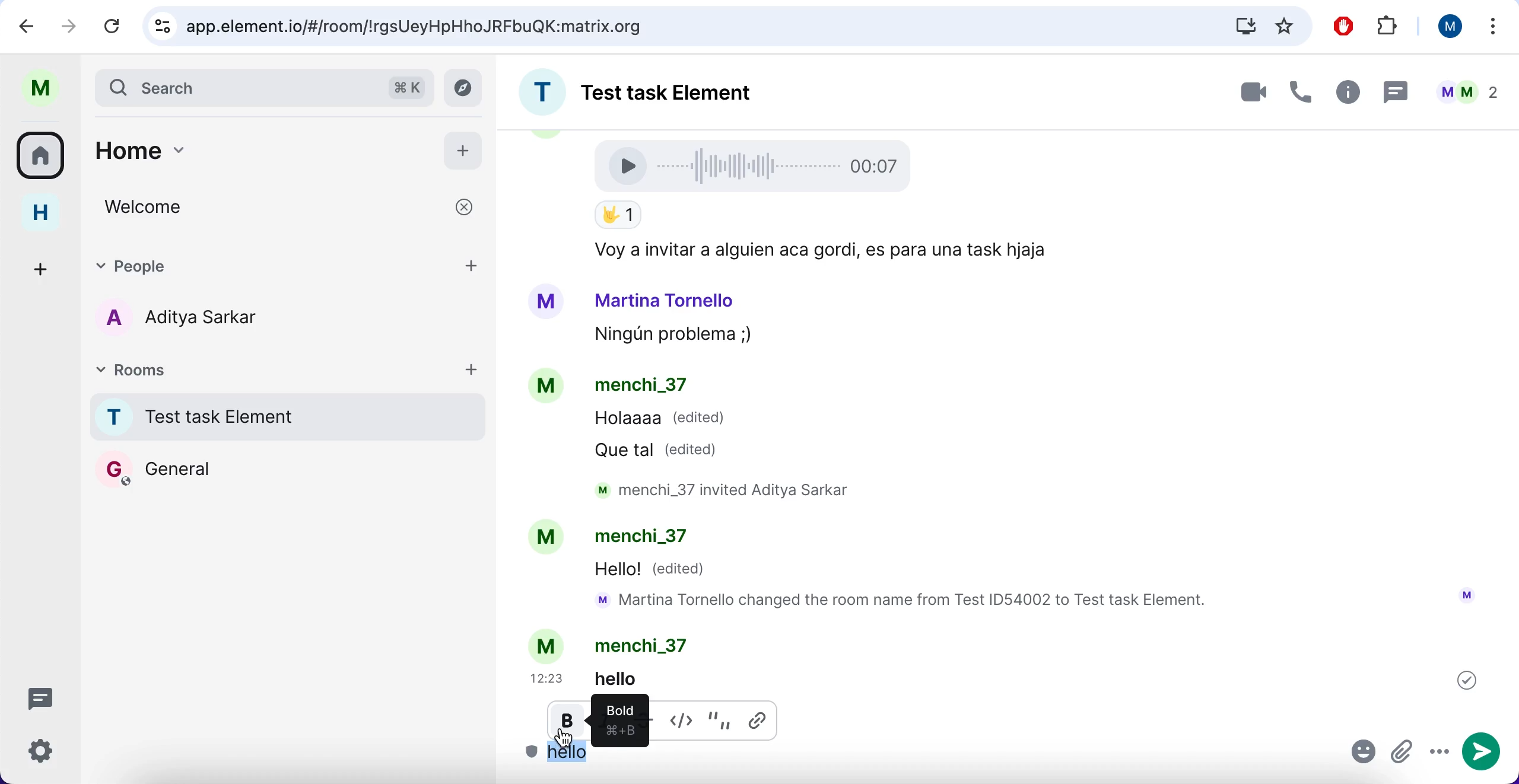  I want to click on extensions, so click(1390, 27).